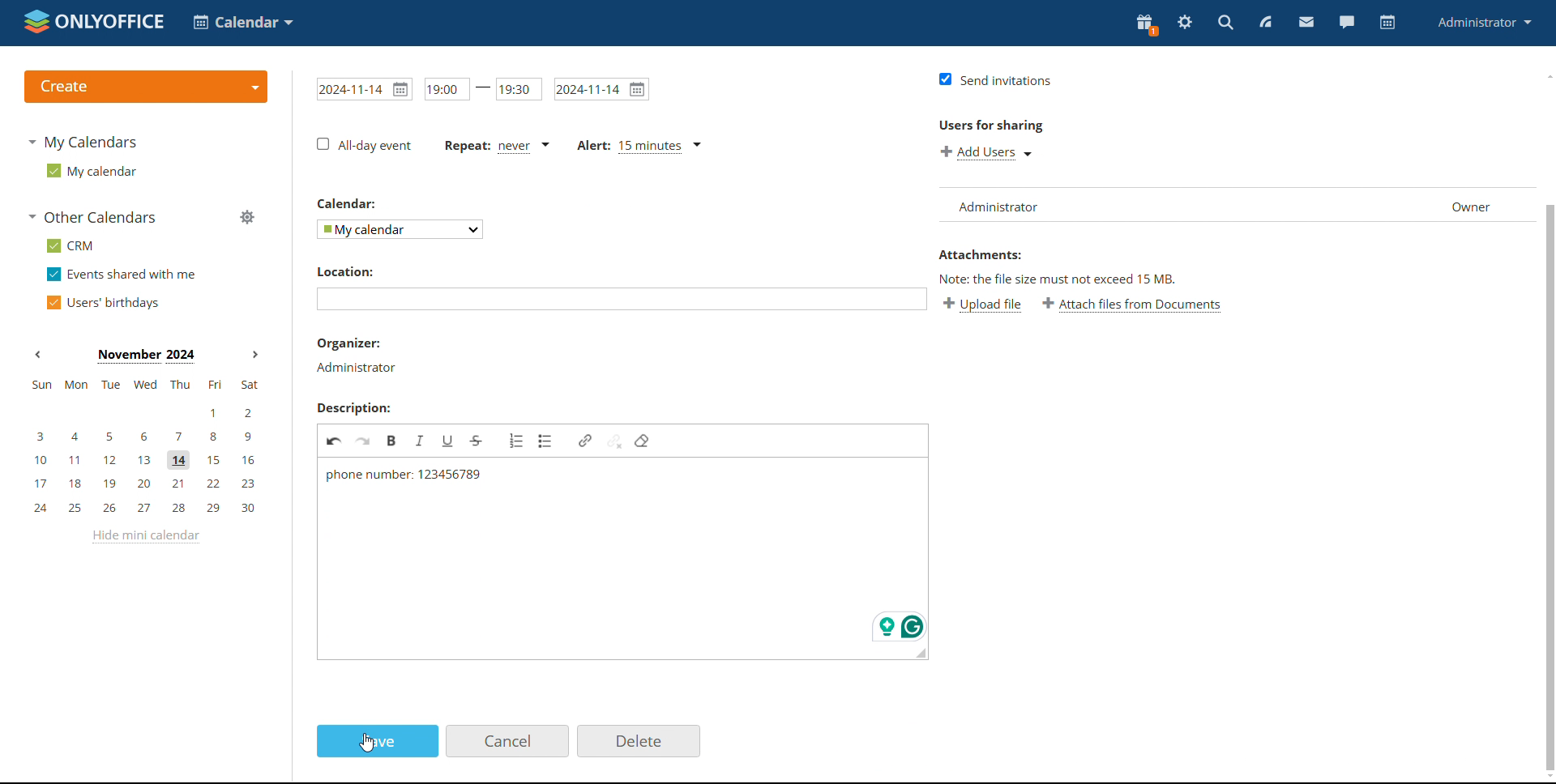  Describe the element at coordinates (1346, 23) in the screenshot. I see `chat` at that location.